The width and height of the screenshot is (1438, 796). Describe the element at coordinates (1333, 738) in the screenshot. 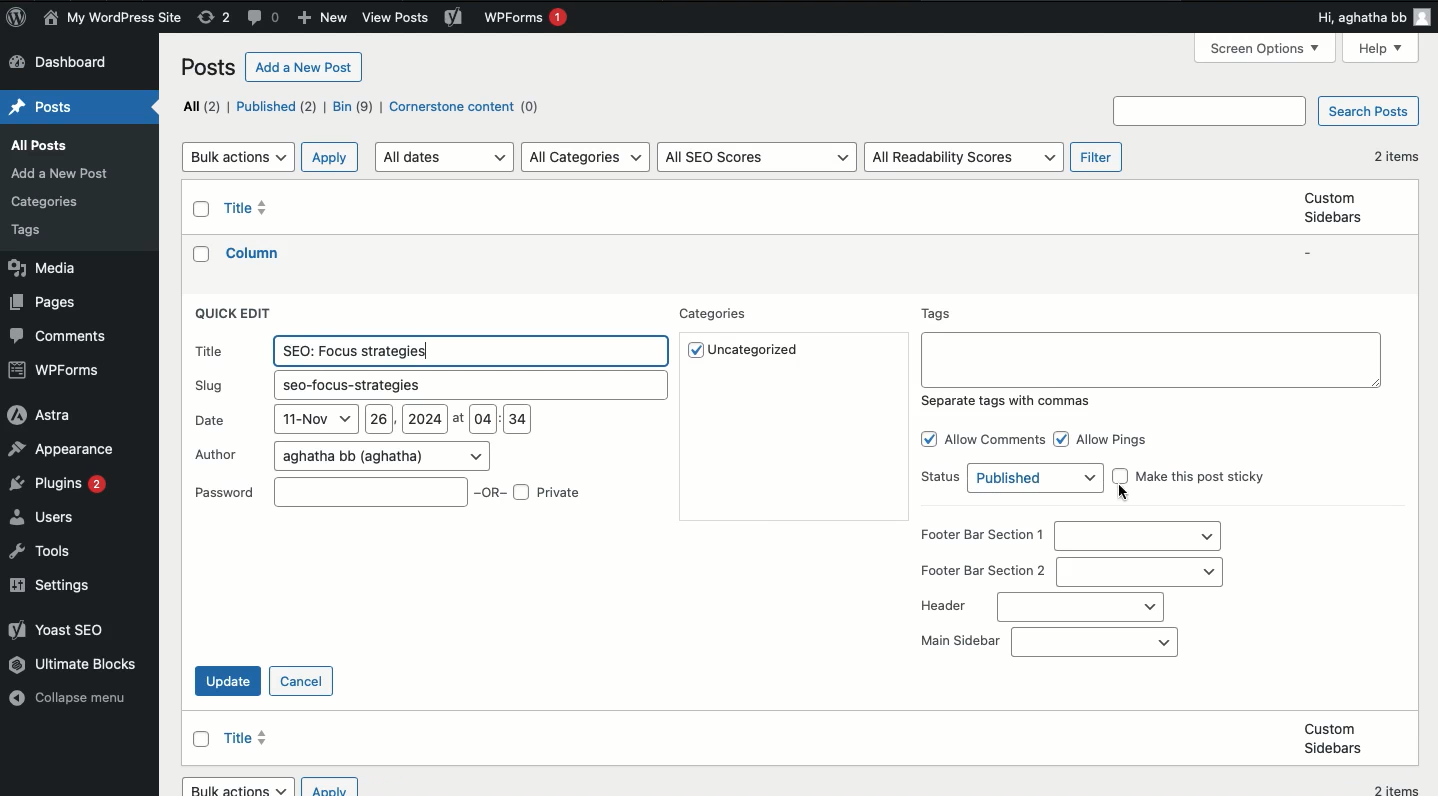

I see `Custom sidebars` at that location.